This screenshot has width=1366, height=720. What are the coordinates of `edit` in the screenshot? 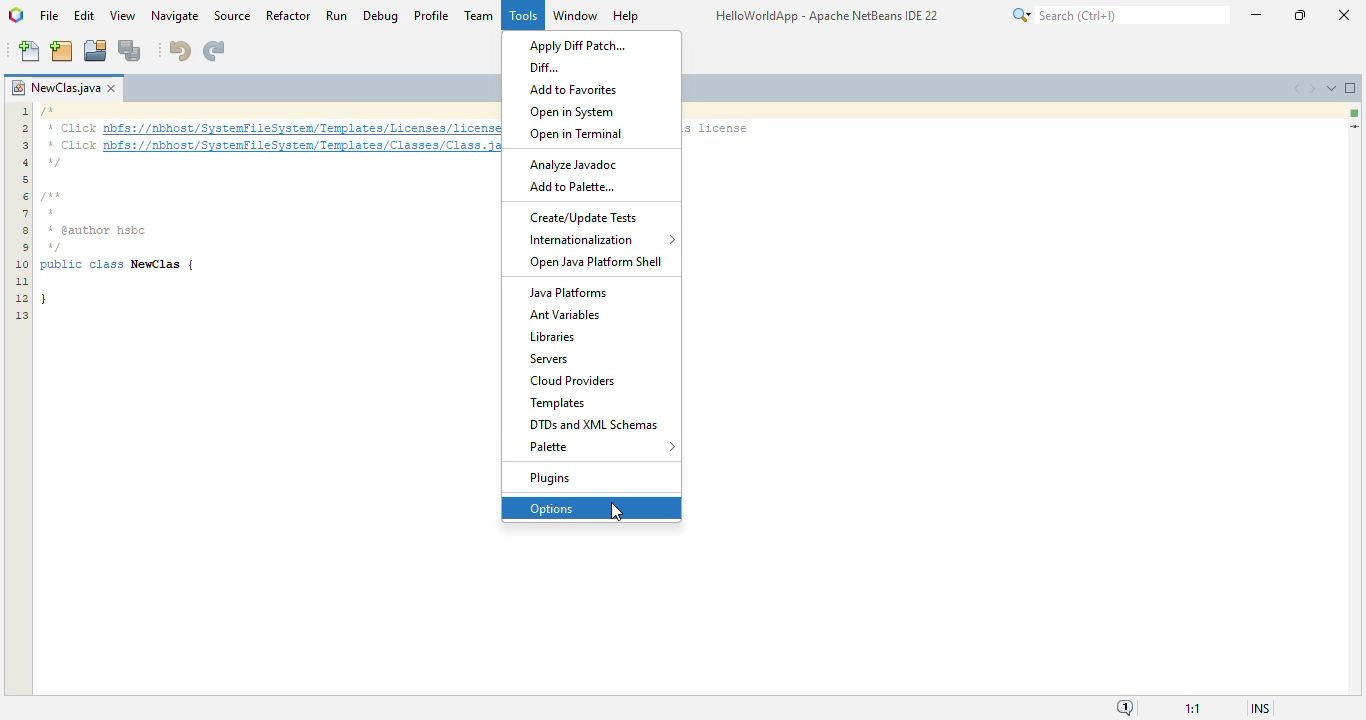 It's located at (85, 16).